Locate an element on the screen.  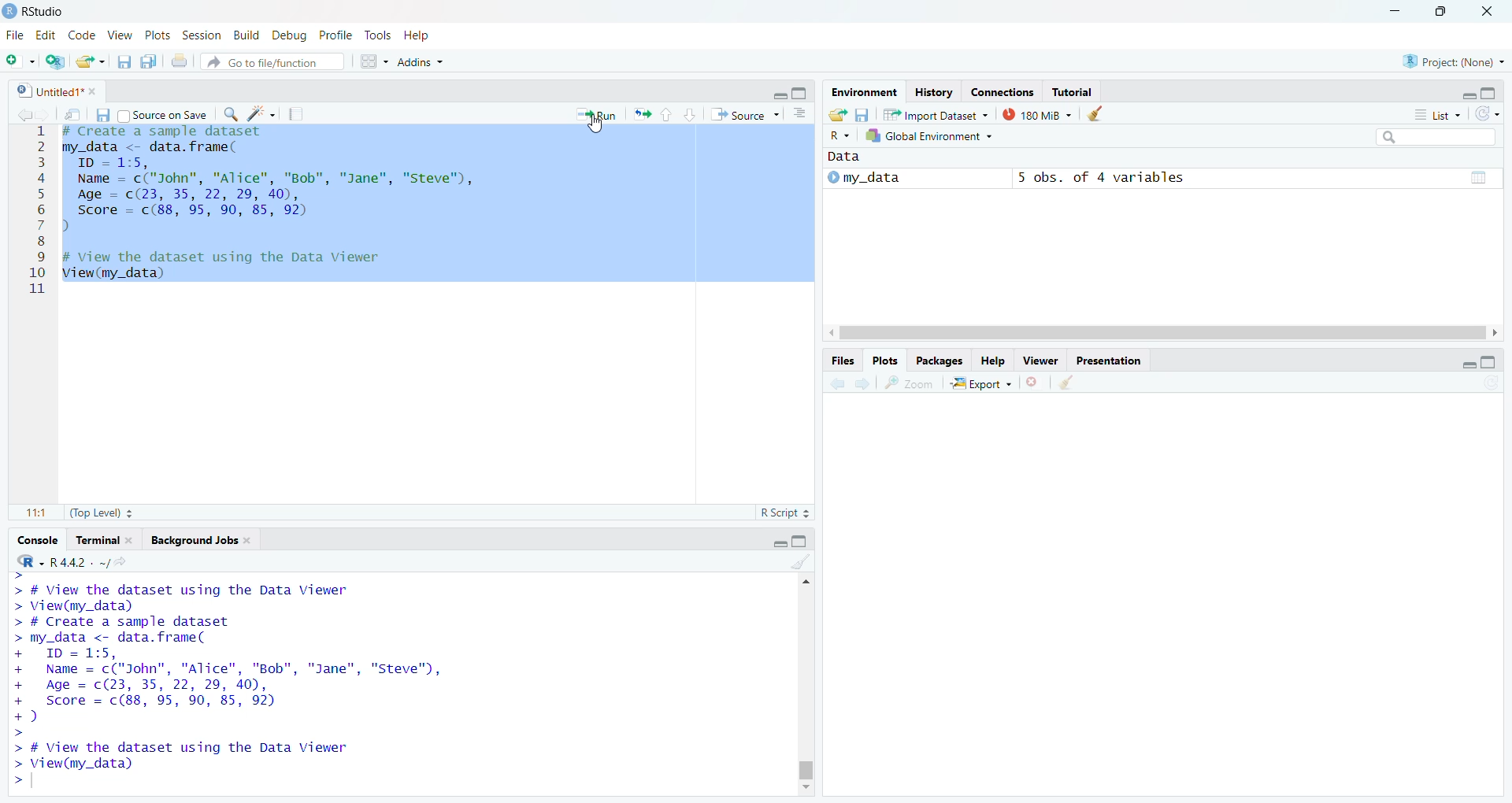
minimize is located at coordinates (1469, 364).